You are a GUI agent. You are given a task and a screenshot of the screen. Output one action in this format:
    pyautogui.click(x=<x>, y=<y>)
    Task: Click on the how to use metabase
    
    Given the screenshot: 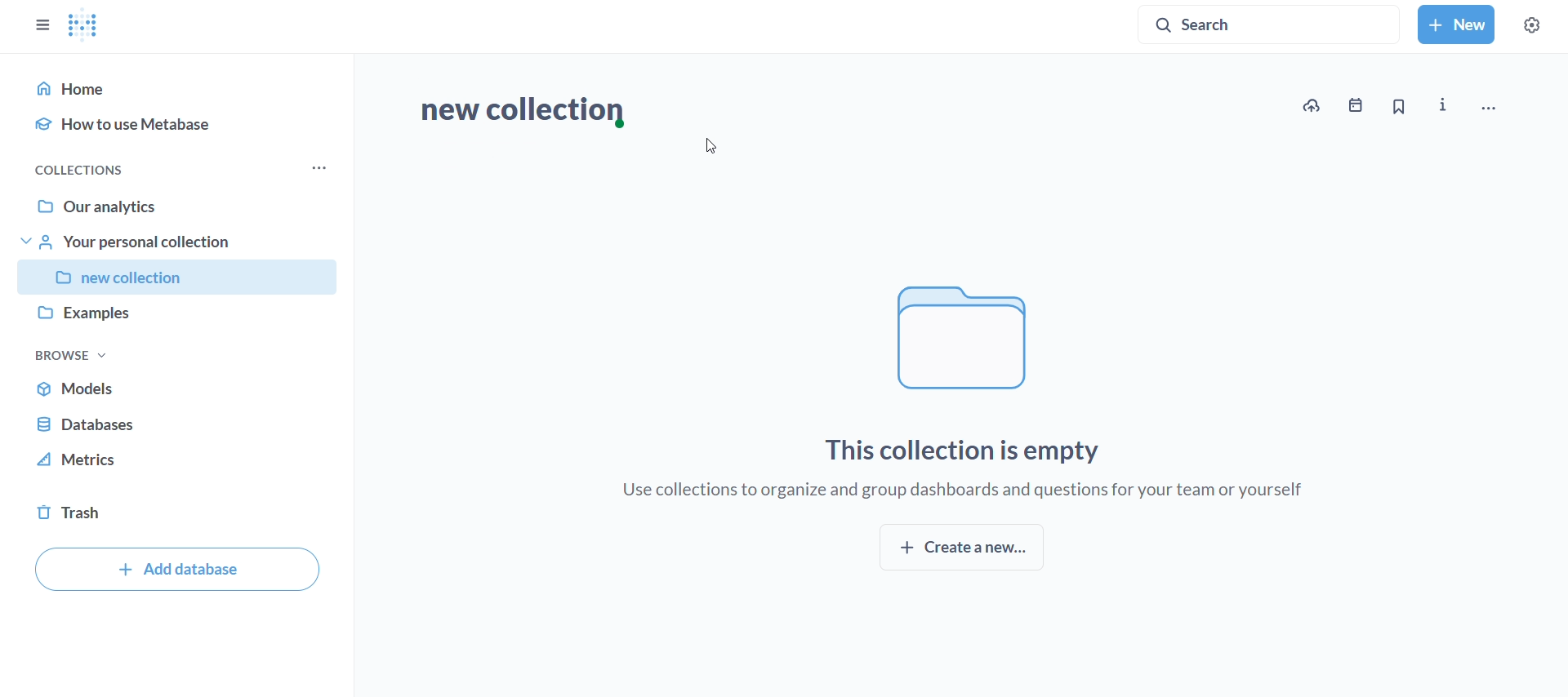 What is the action you would take?
    pyautogui.click(x=178, y=123)
    